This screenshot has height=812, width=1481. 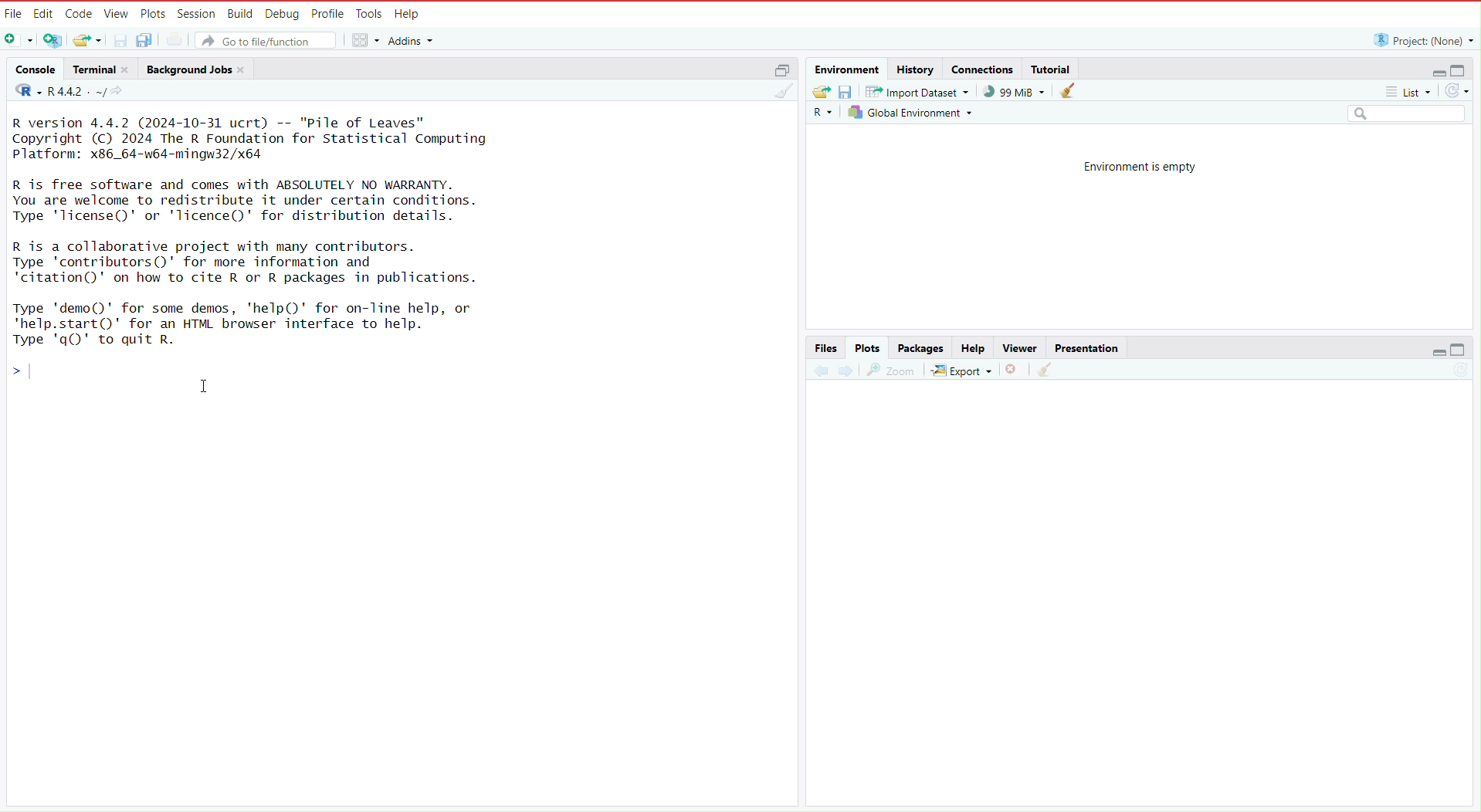 What do you see at coordinates (268, 40) in the screenshot?
I see `go to file/function` at bounding box center [268, 40].